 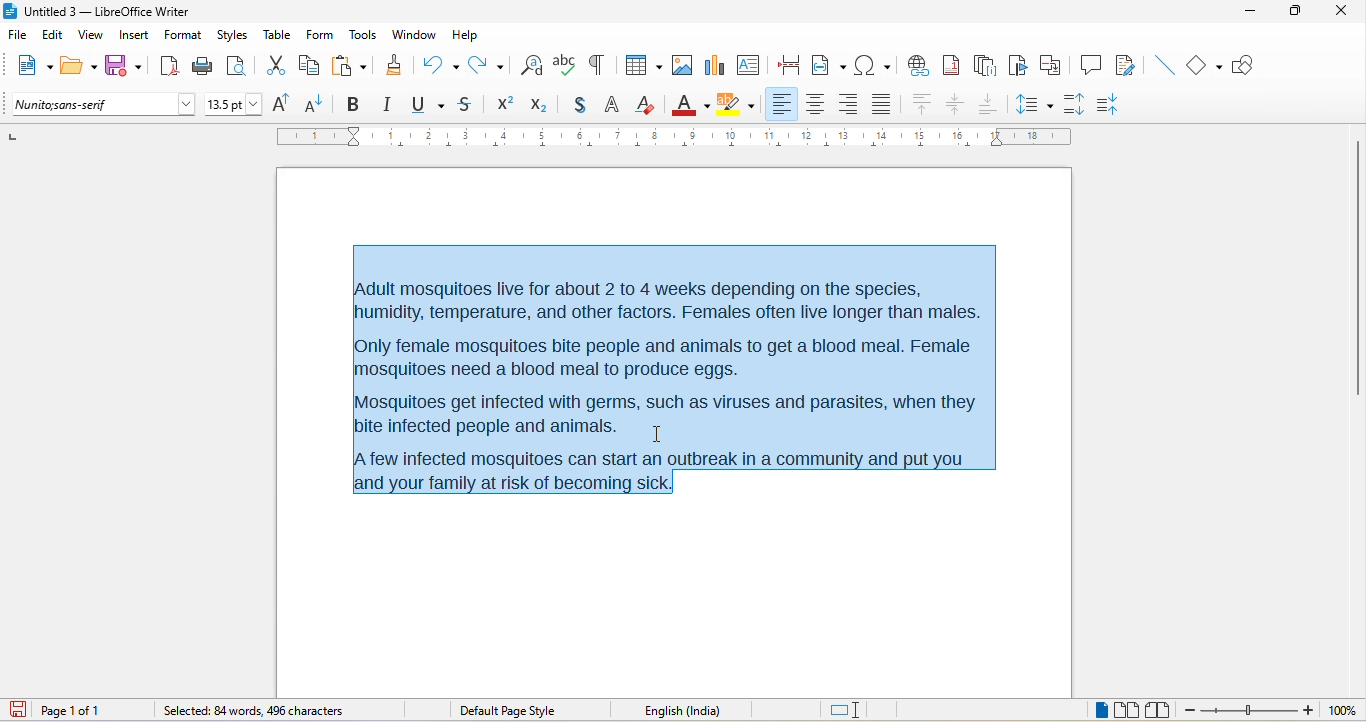 What do you see at coordinates (393, 64) in the screenshot?
I see `clone formatting` at bounding box center [393, 64].